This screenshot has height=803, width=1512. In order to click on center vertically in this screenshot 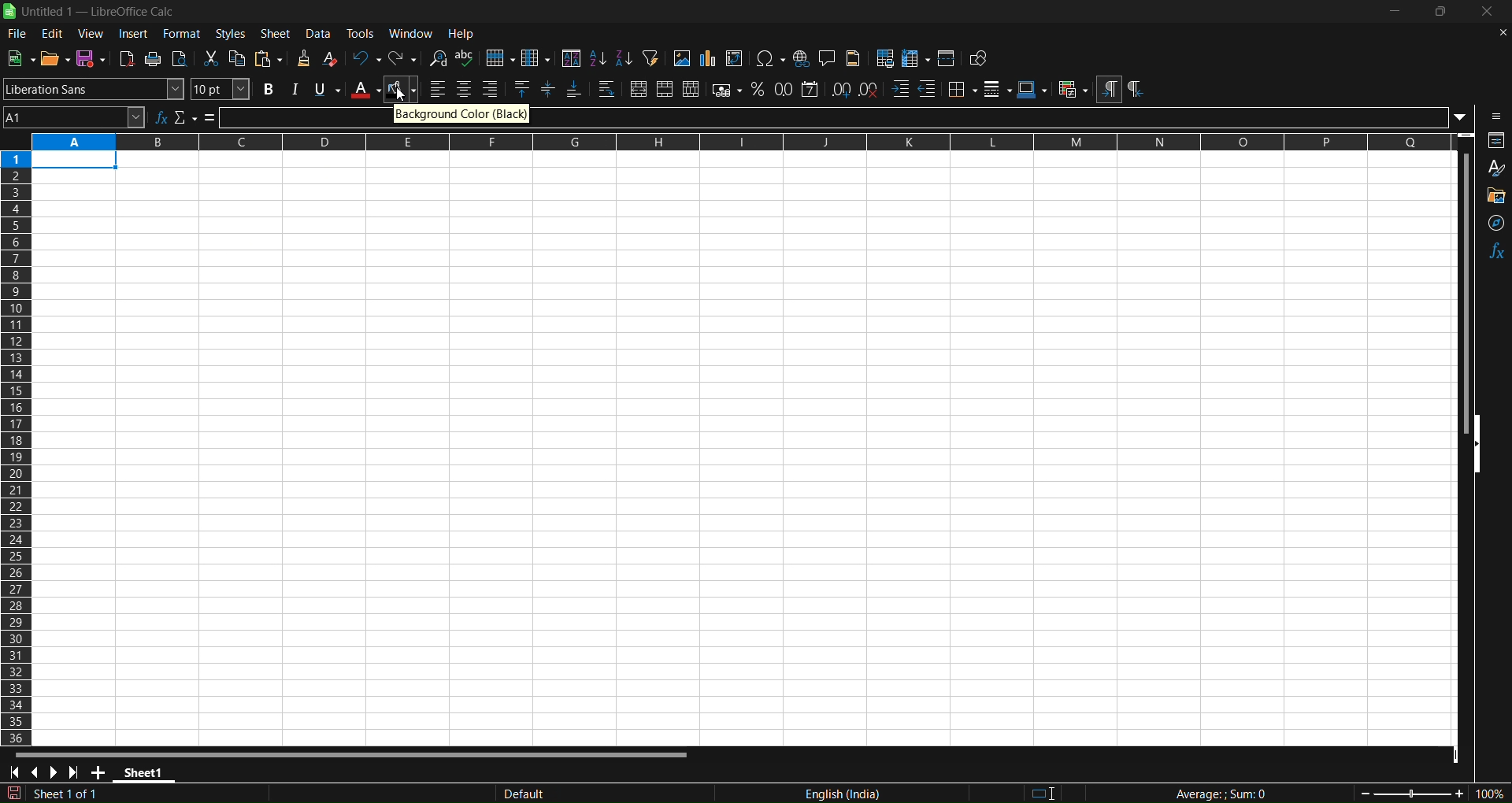, I will do `click(548, 88)`.